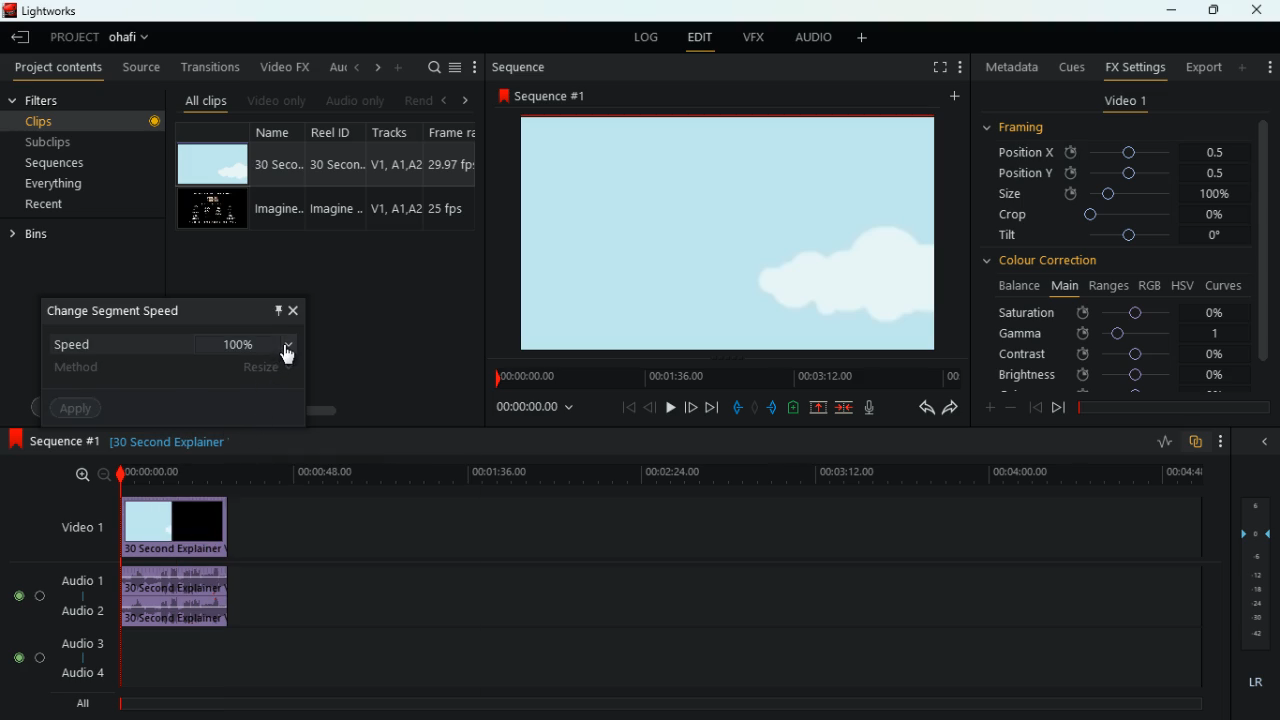 This screenshot has width=1280, height=720. I want to click on time, so click(538, 409).